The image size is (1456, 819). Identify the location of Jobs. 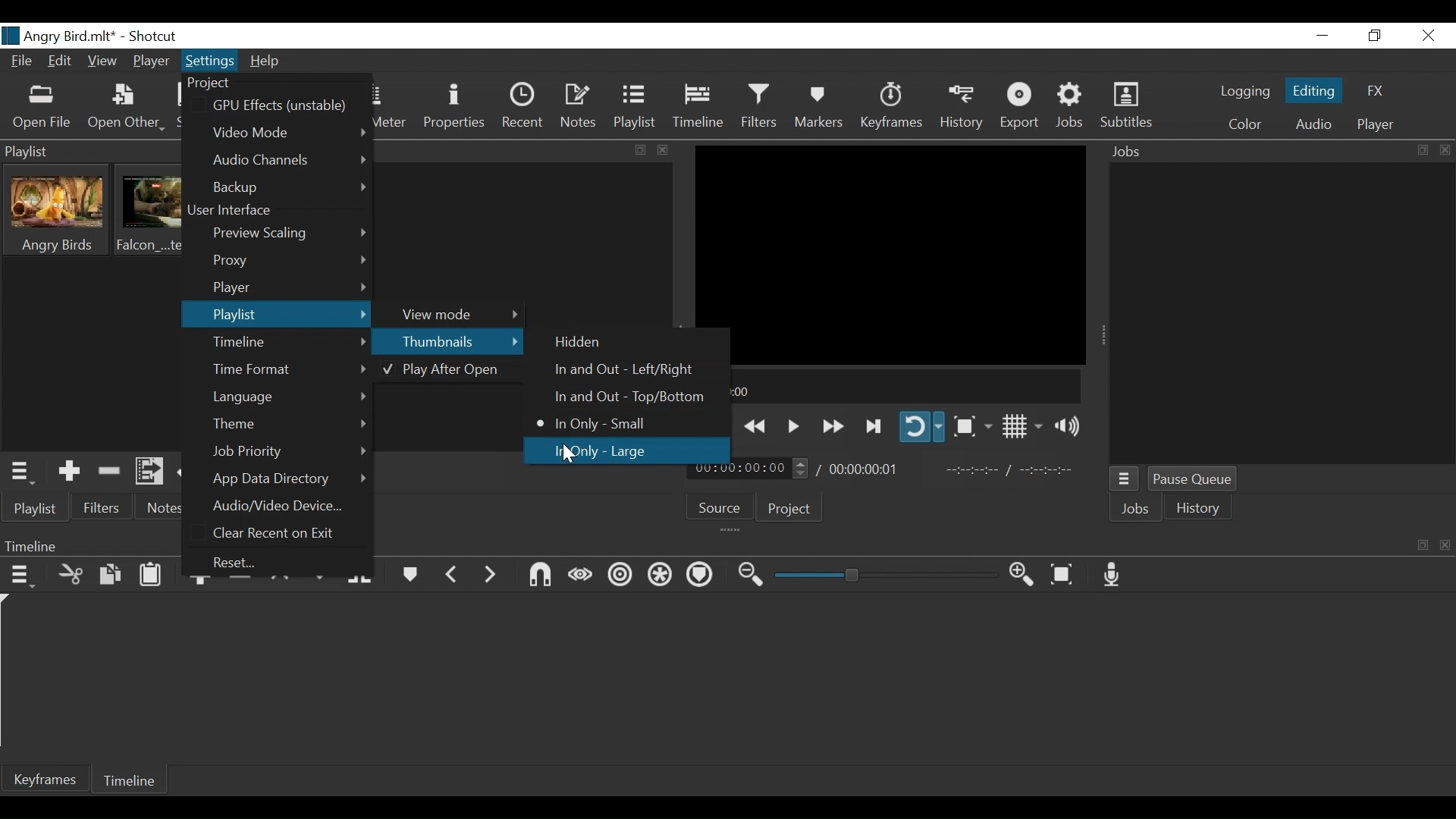
(1071, 108).